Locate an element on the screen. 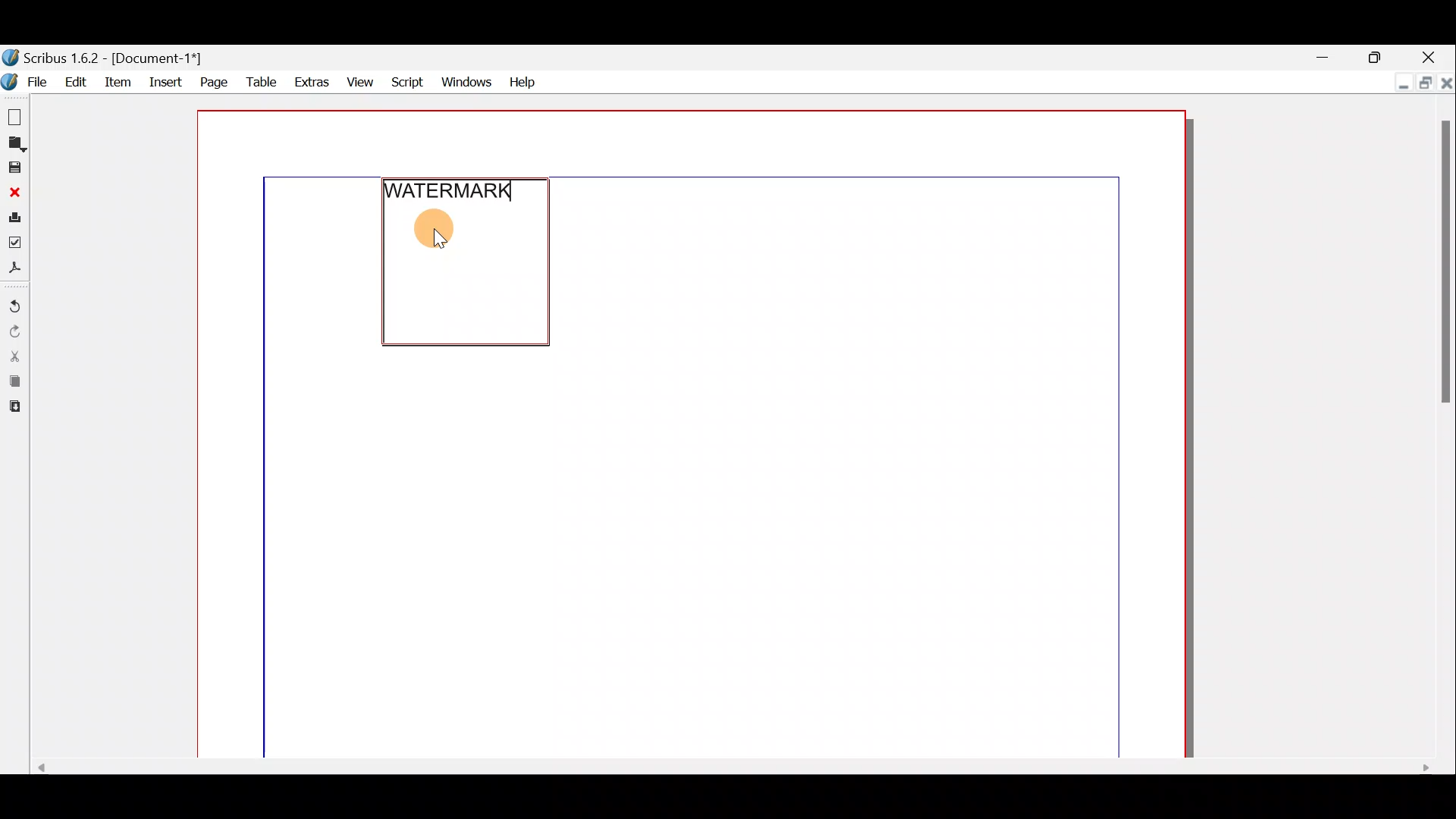 This screenshot has width=1456, height=819. Edit is located at coordinates (77, 81).